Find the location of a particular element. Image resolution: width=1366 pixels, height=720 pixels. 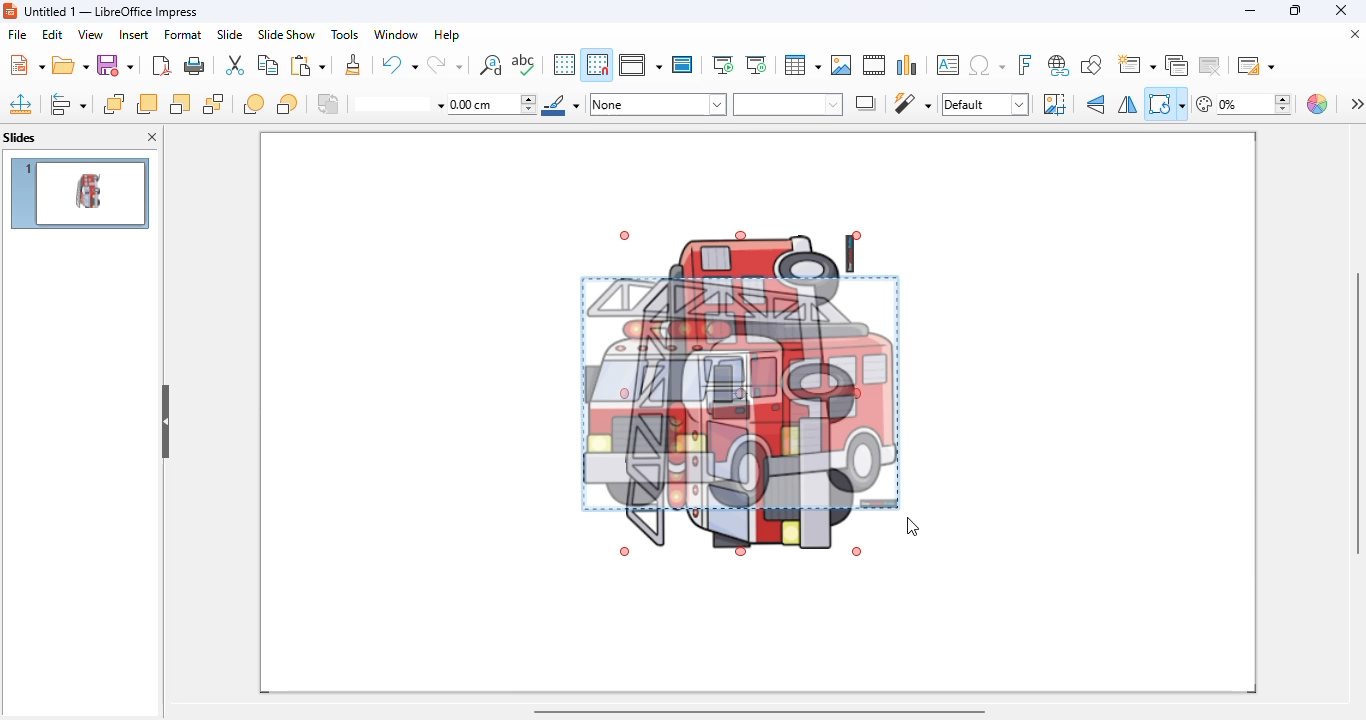

image mode is located at coordinates (985, 105).